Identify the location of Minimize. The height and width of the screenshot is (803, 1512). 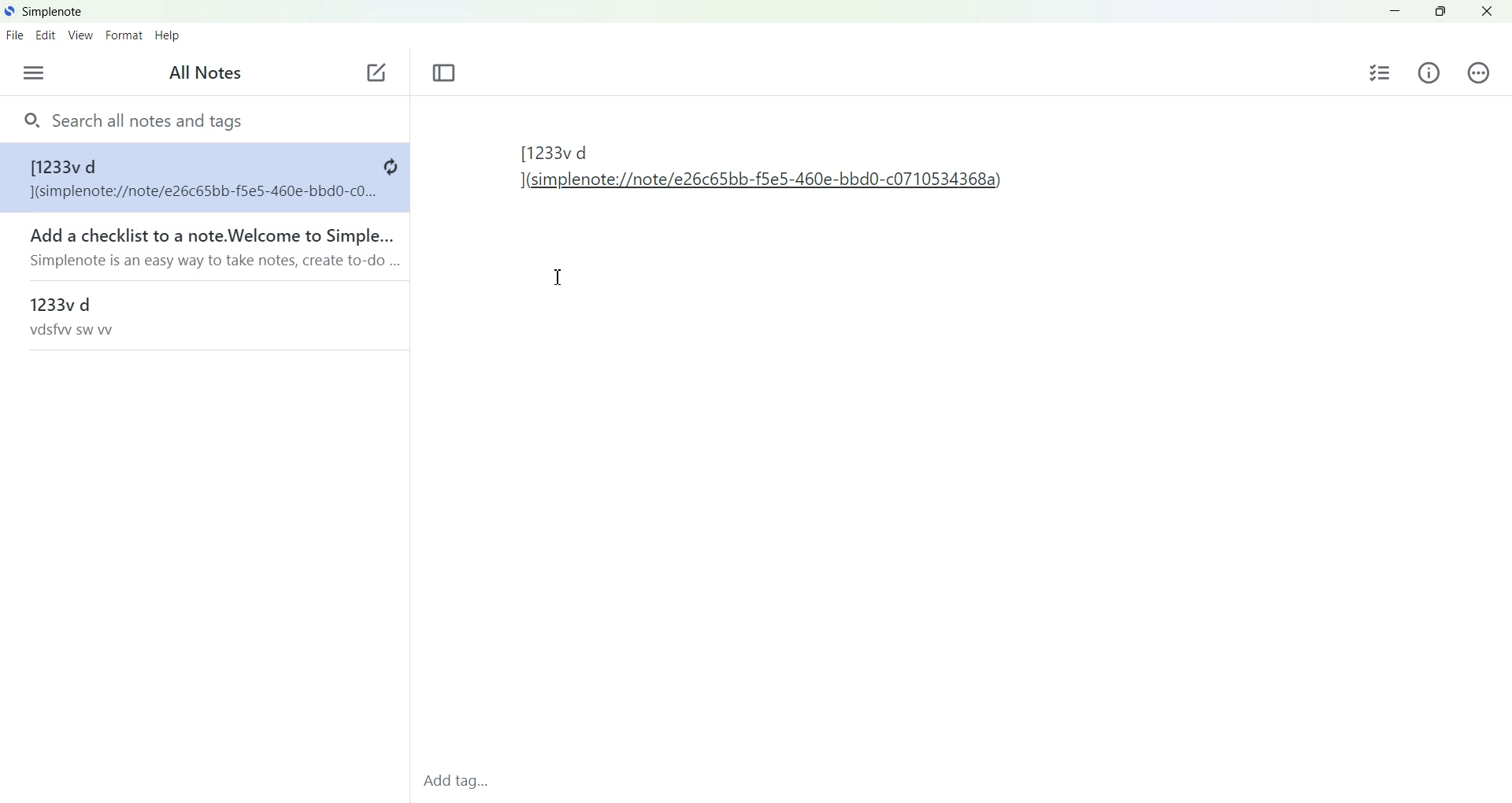
(1395, 12).